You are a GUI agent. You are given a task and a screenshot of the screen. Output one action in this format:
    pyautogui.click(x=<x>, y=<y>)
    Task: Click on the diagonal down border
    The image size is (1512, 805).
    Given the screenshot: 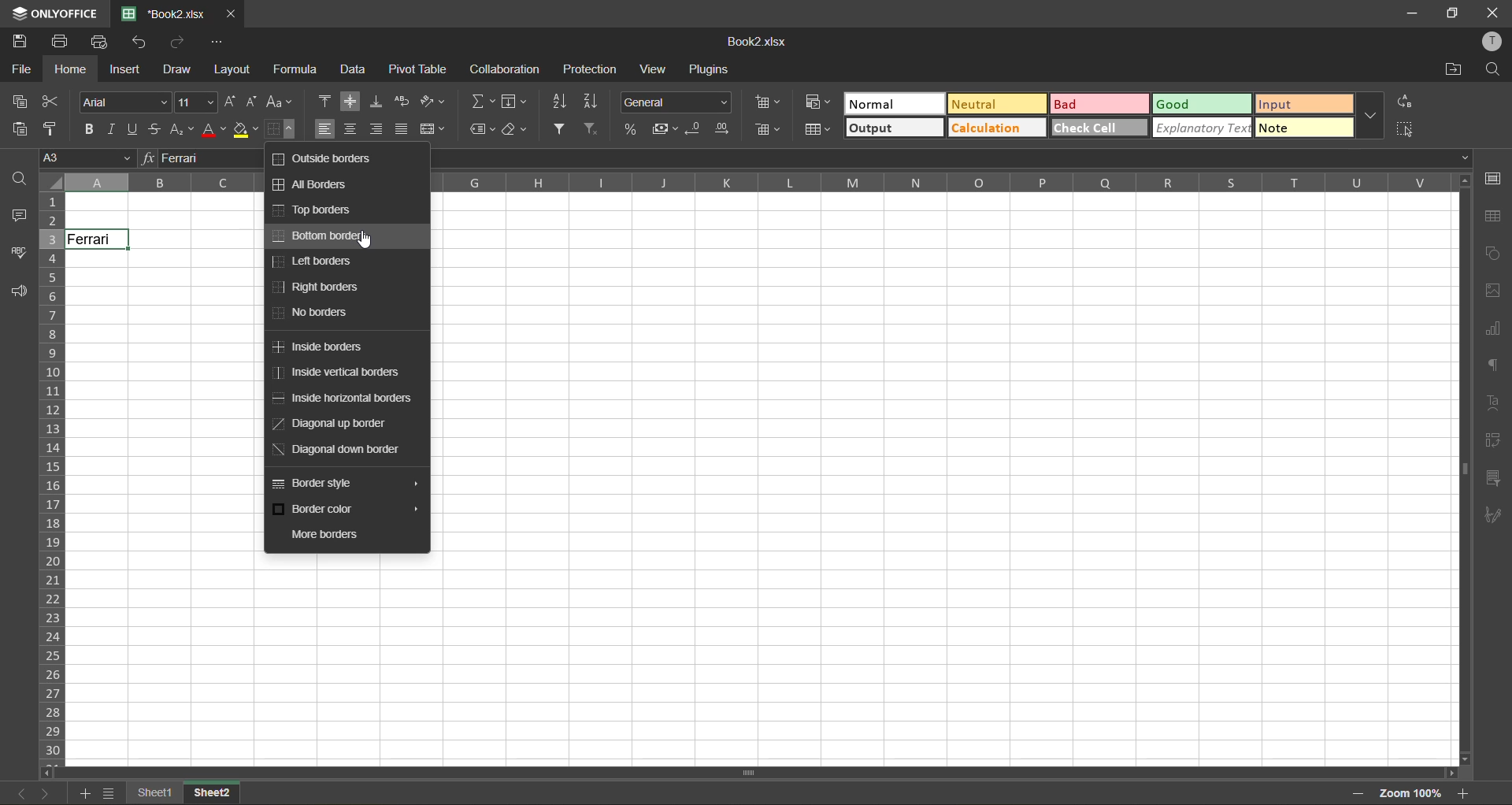 What is the action you would take?
    pyautogui.click(x=335, y=451)
    